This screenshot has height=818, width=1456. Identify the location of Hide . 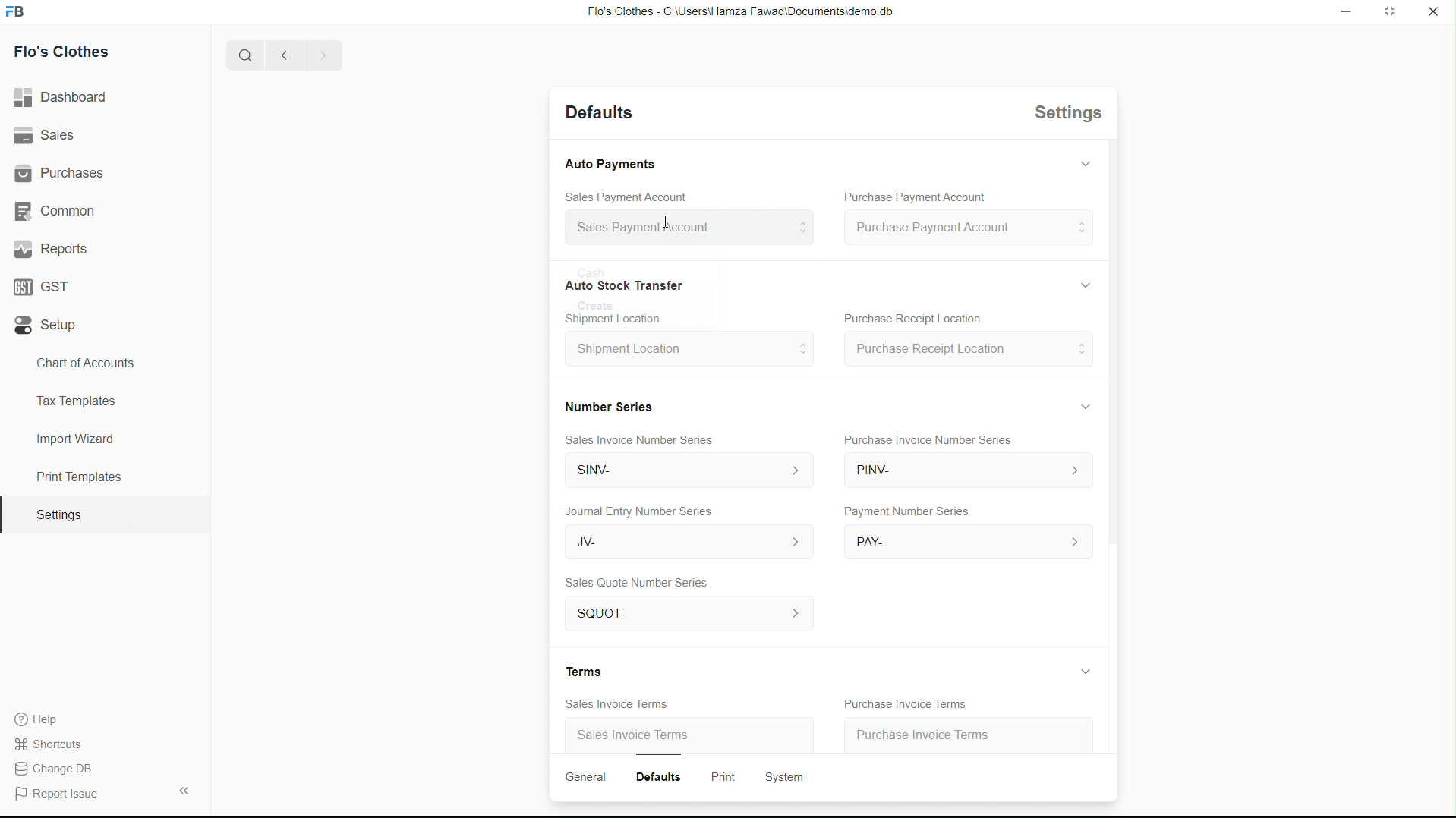
(1085, 284).